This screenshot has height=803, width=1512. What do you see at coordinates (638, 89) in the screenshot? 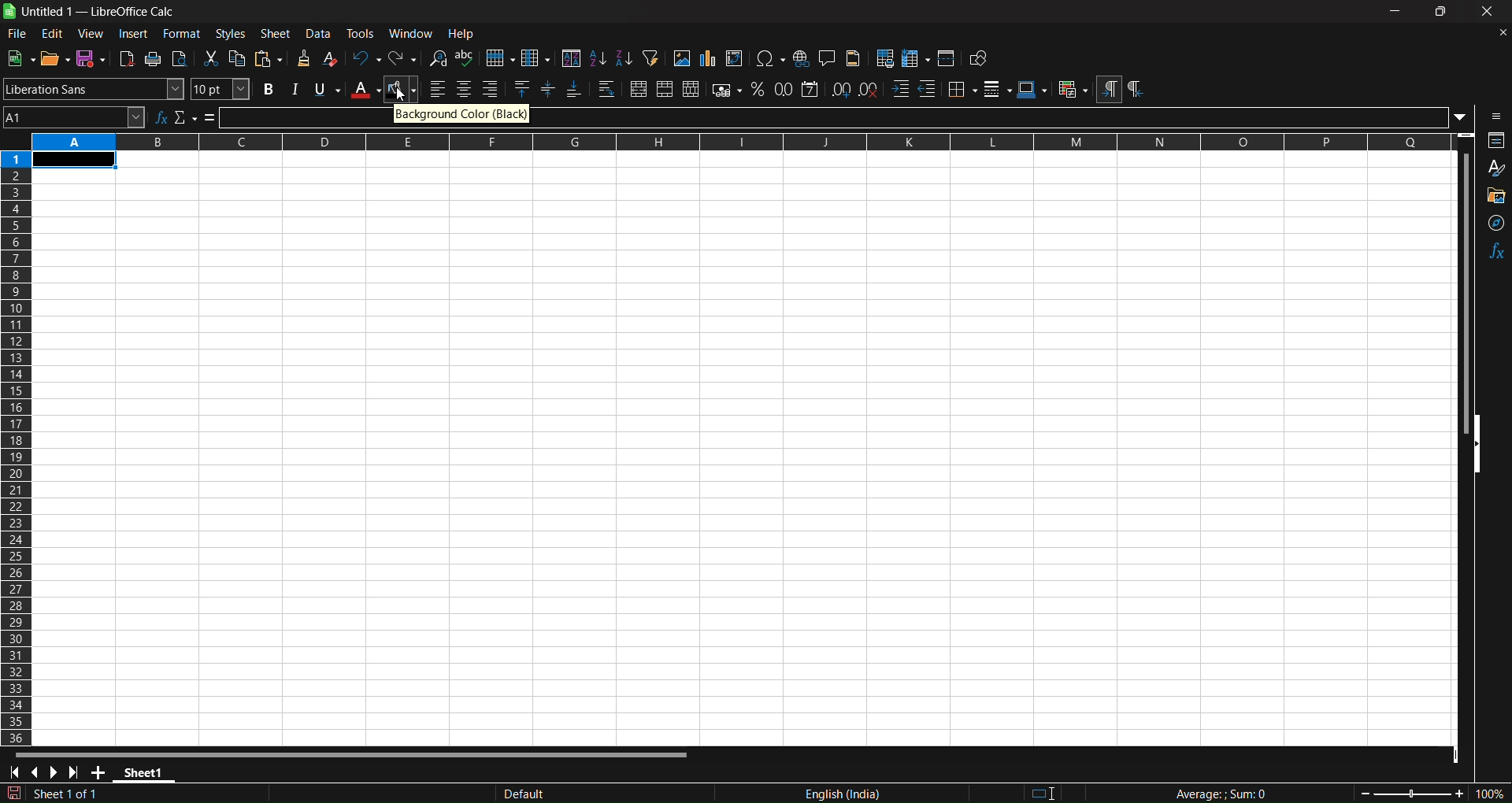
I see `merge and center or unmerge cells depending on the current toggle state` at bounding box center [638, 89].